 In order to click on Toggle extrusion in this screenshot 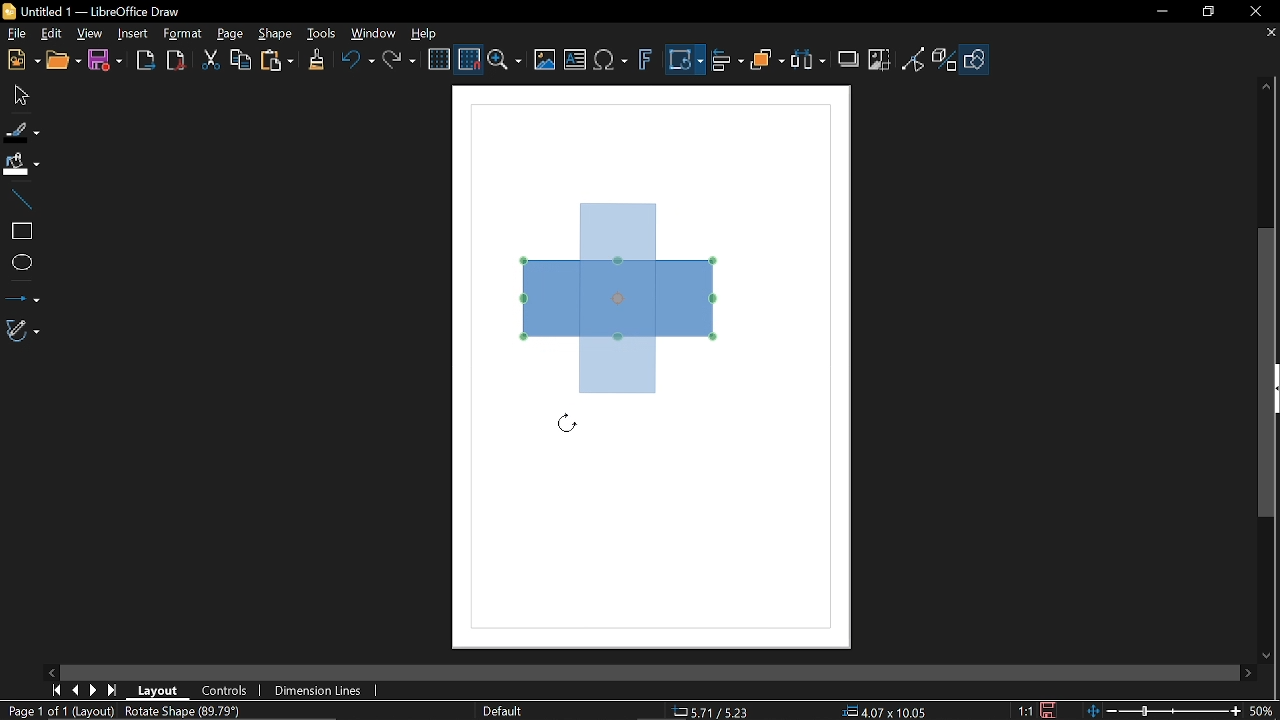, I will do `click(946, 61)`.